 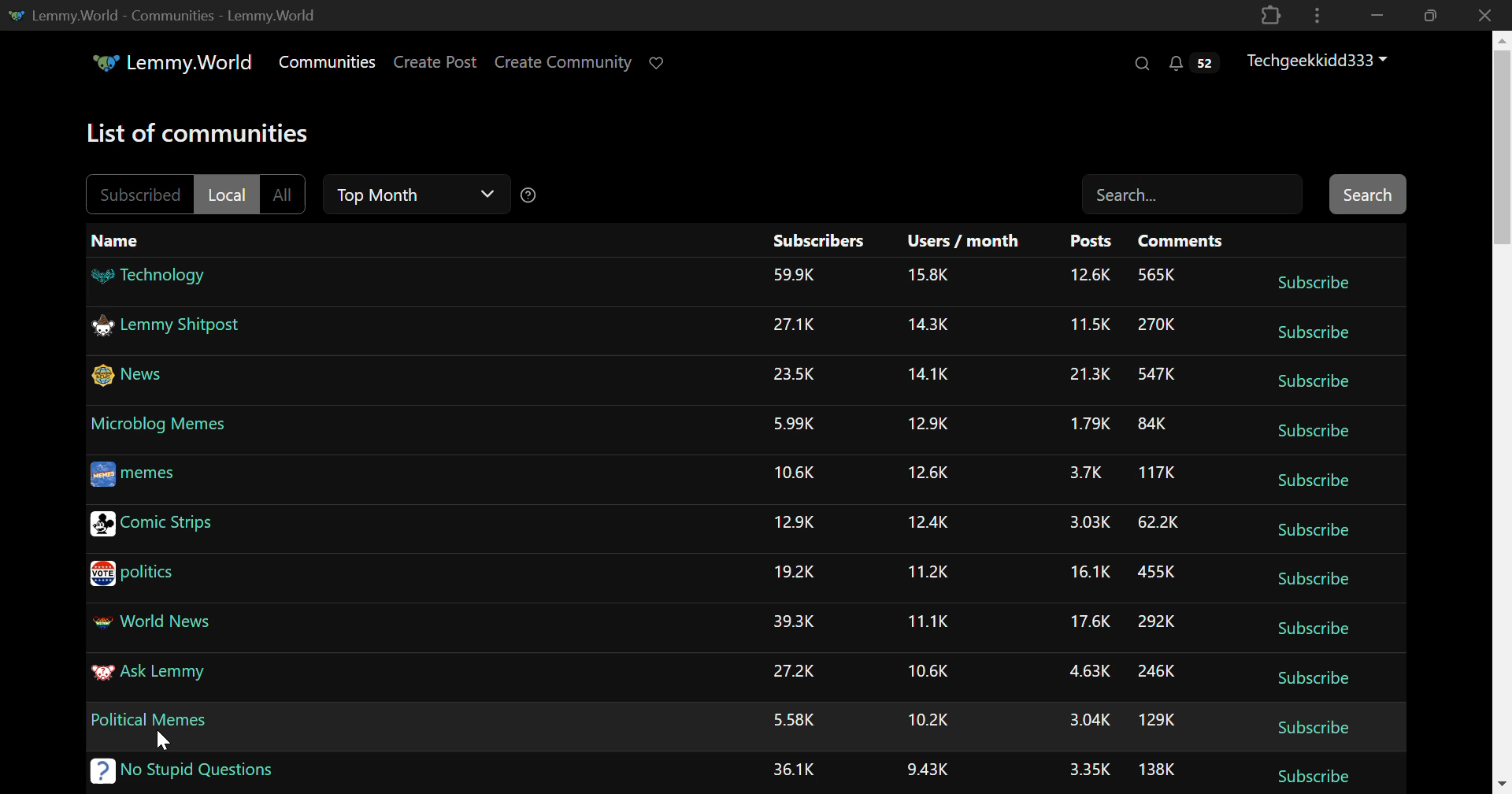 I want to click on Amount, so click(x=1156, y=473).